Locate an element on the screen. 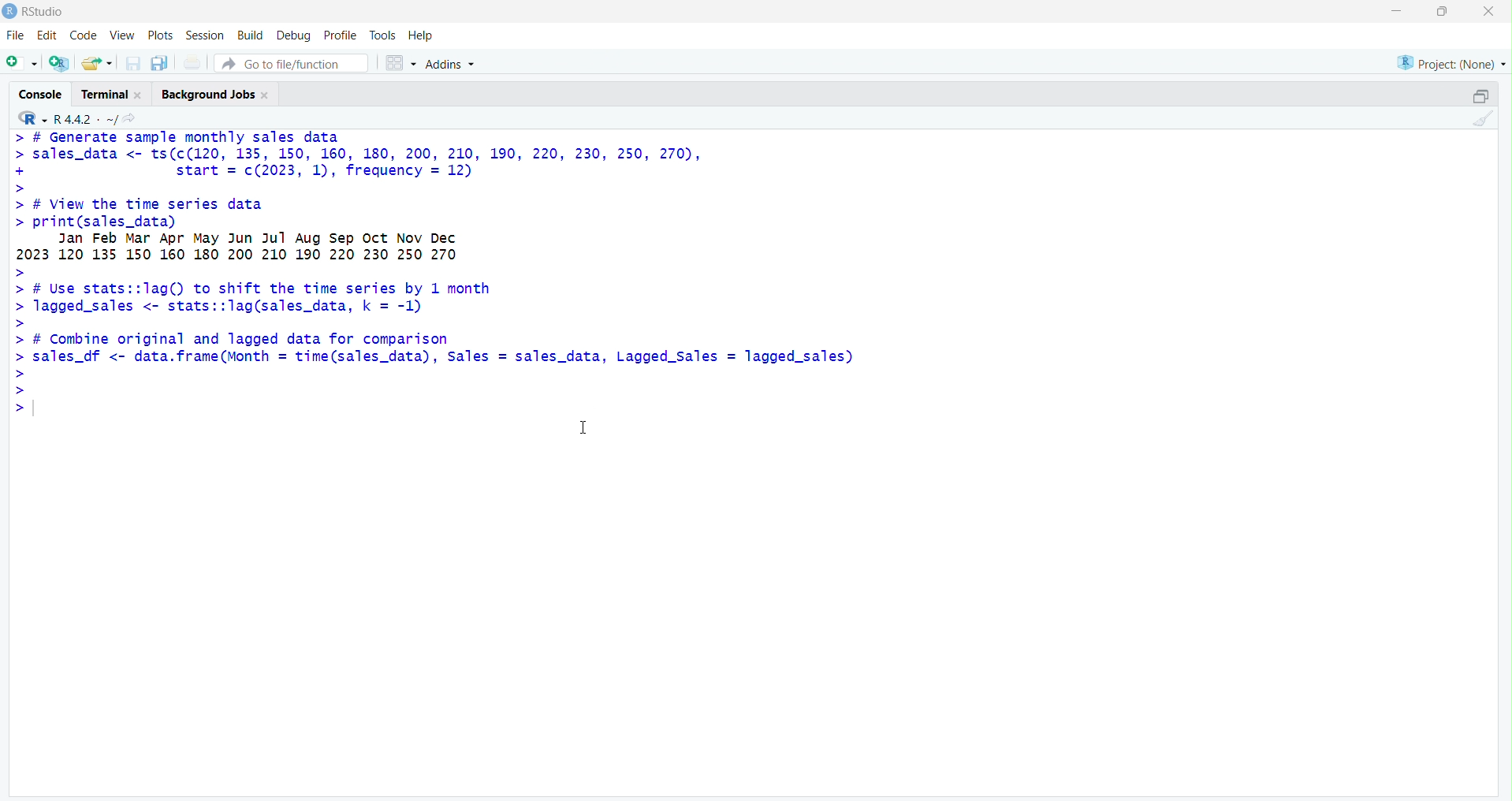 Image resolution: width=1512 pixels, height=801 pixels. go to file/function is located at coordinates (285, 64).